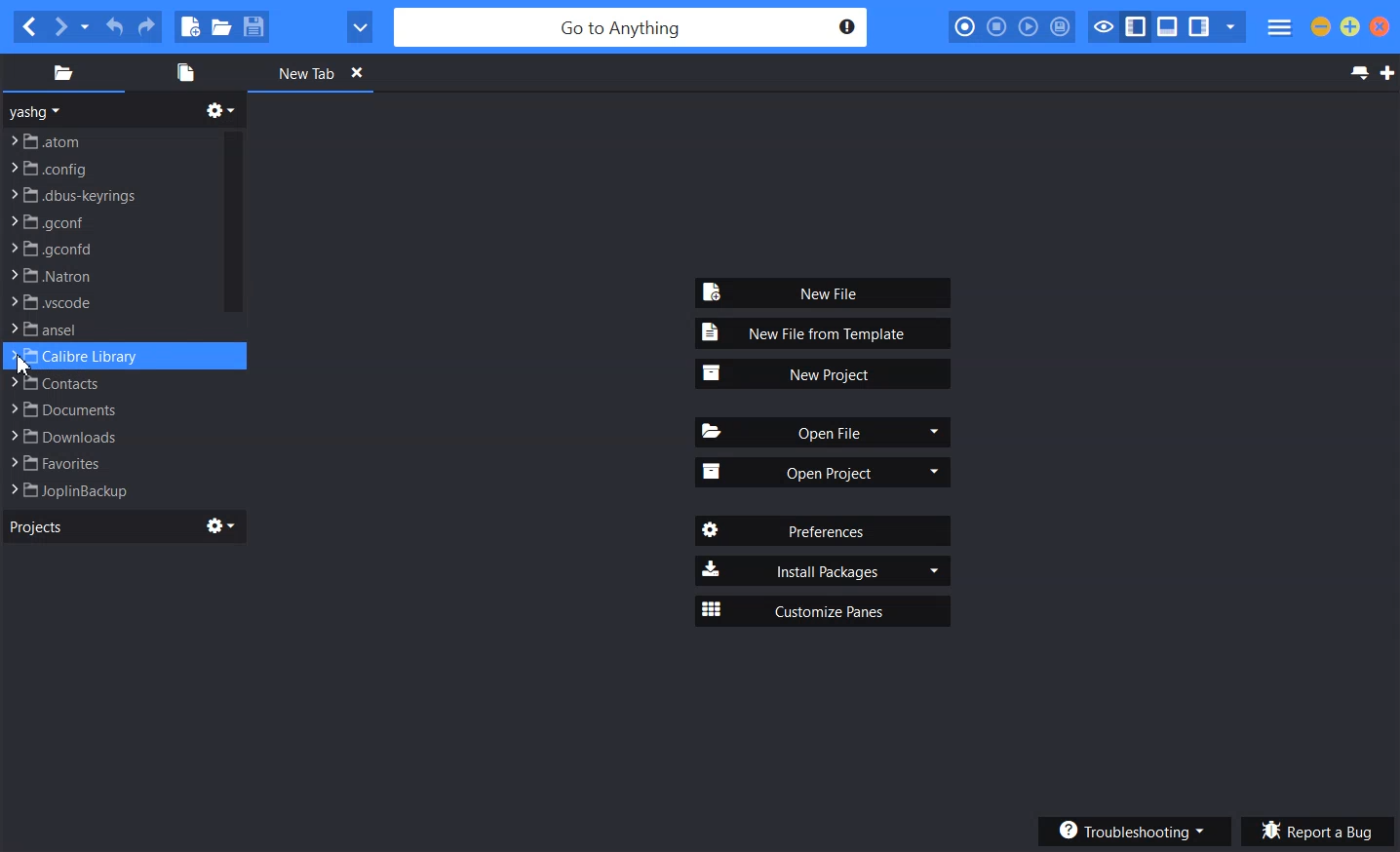  What do you see at coordinates (108, 302) in the screenshot?
I see `File` at bounding box center [108, 302].